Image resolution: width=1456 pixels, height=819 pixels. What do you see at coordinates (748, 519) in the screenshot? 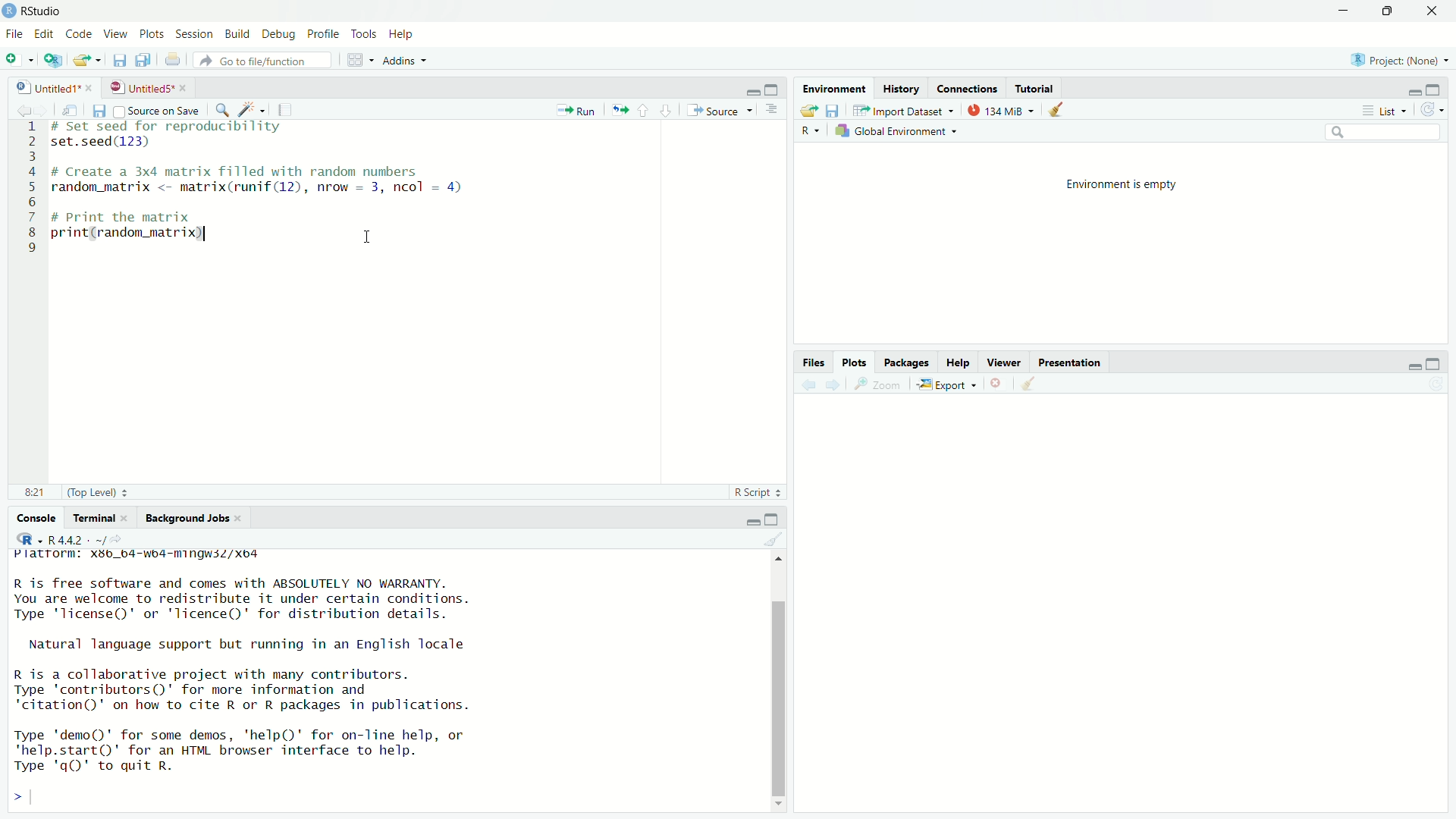
I see `minimise` at bounding box center [748, 519].